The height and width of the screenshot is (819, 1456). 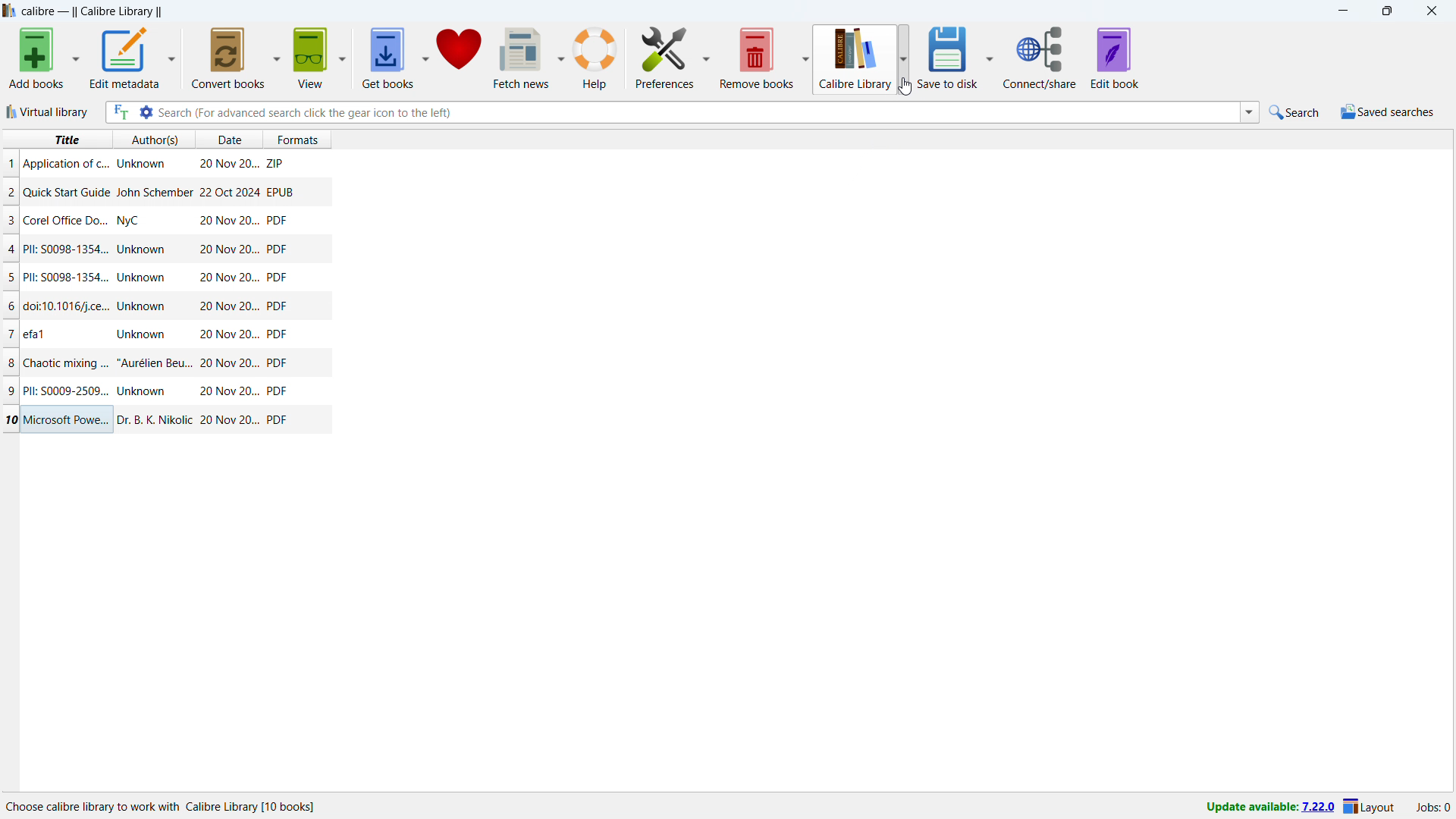 I want to click on Author, so click(x=144, y=278).